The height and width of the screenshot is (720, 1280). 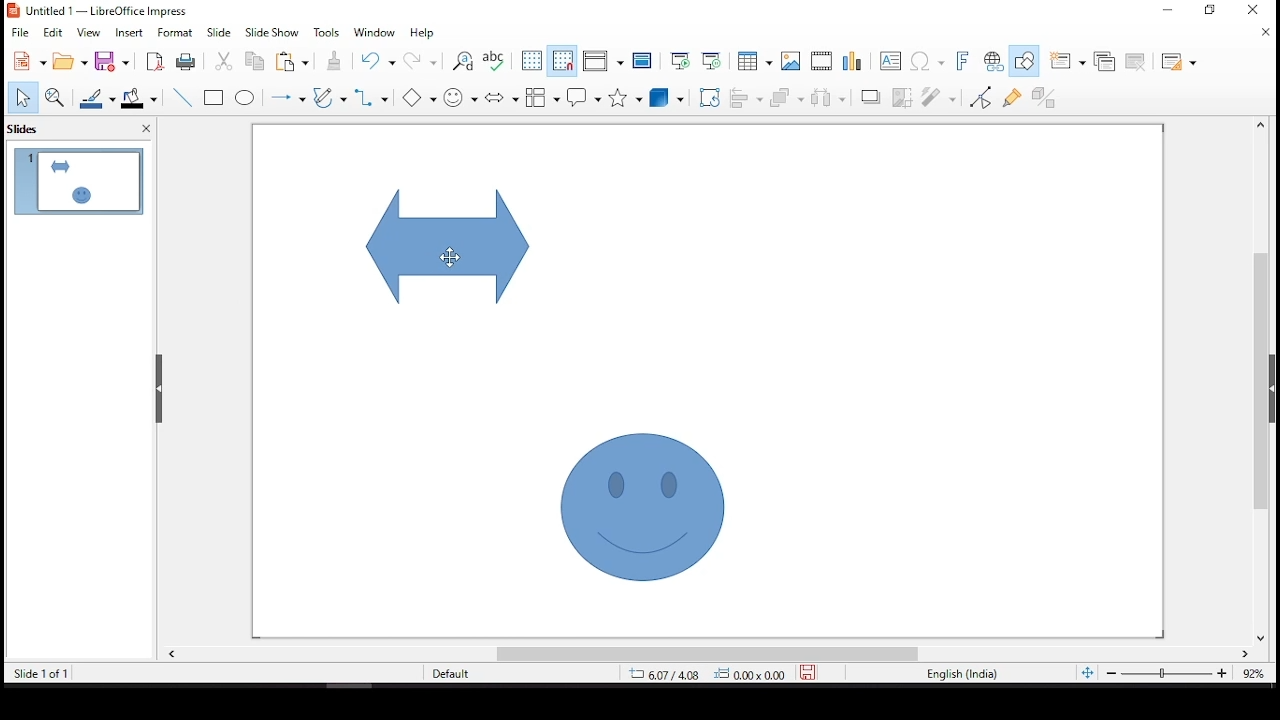 What do you see at coordinates (1265, 35) in the screenshot?
I see `close` at bounding box center [1265, 35].